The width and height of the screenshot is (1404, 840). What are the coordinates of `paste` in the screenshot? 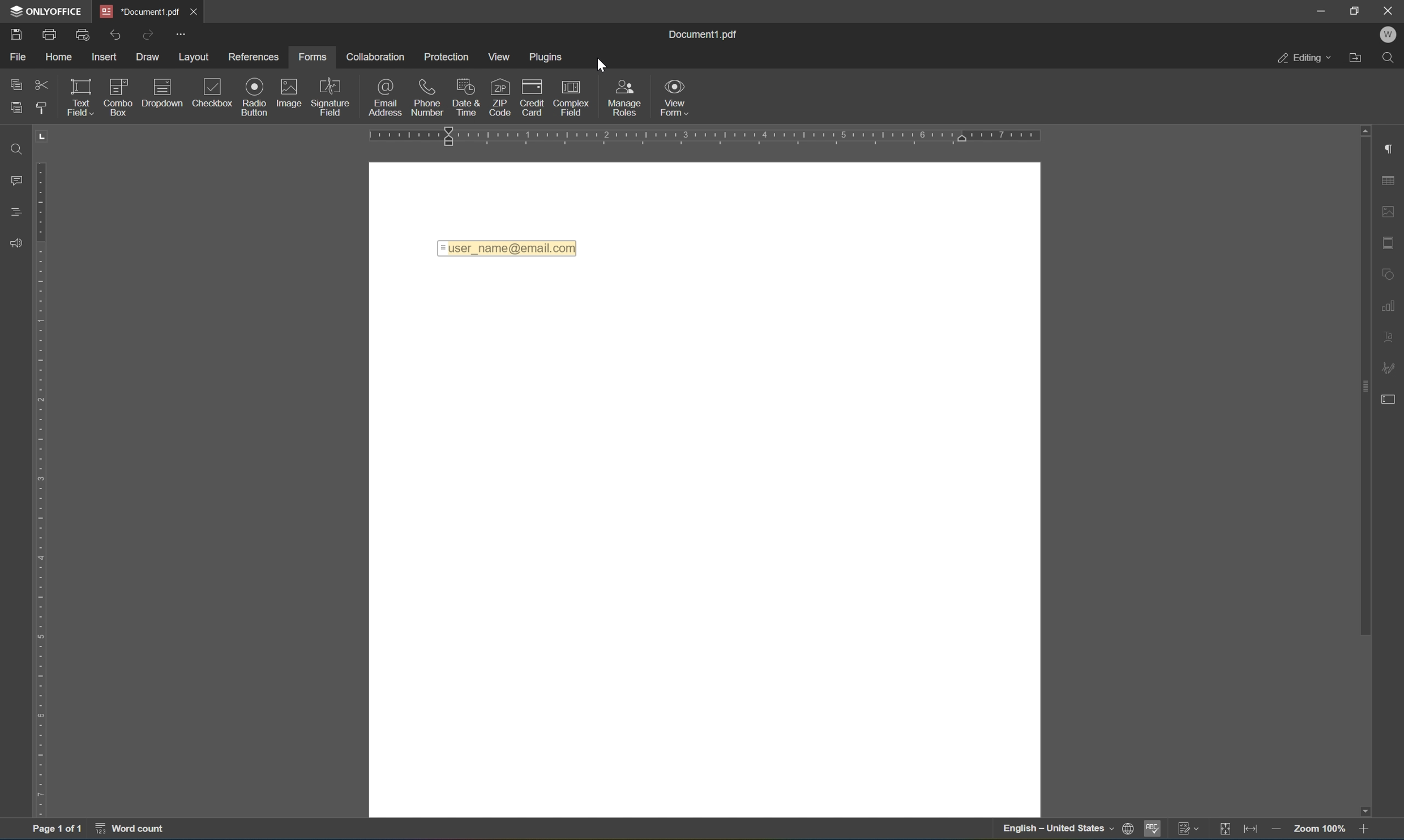 It's located at (15, 109).